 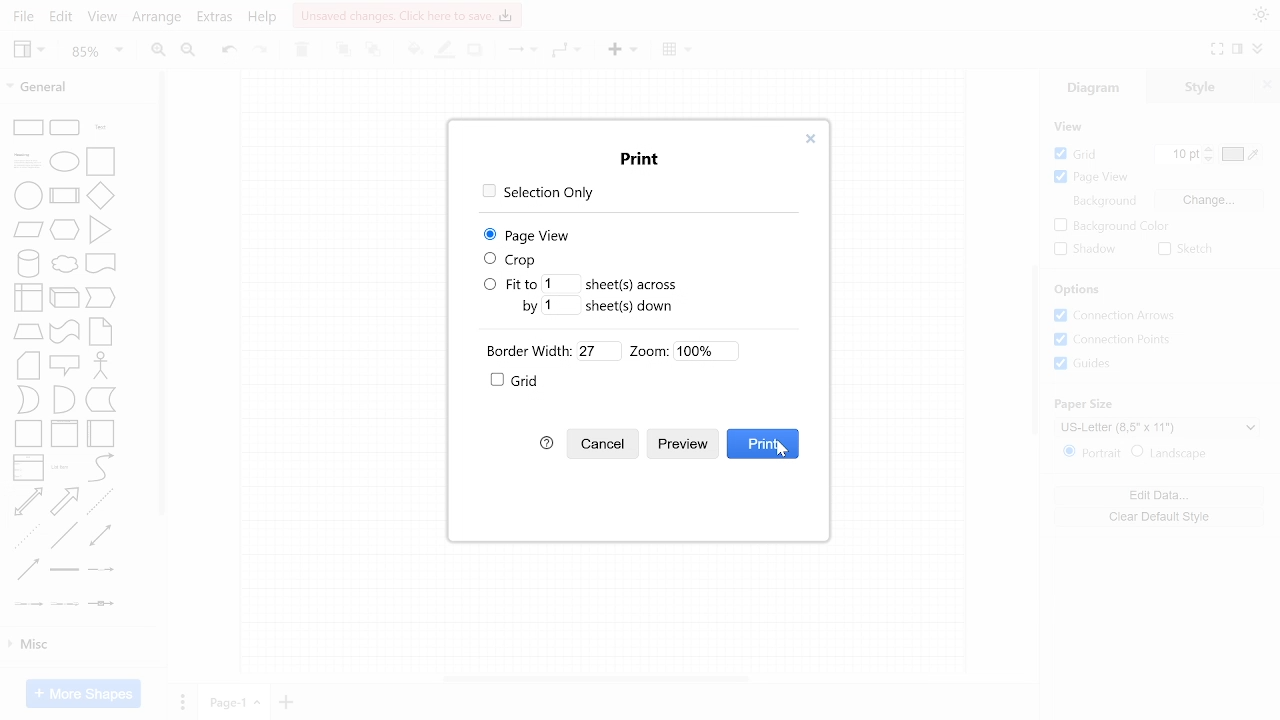 What do you see at coordinates (1069, 126) in the screenshot?
I see `View` at bounding box center [1069, 126].